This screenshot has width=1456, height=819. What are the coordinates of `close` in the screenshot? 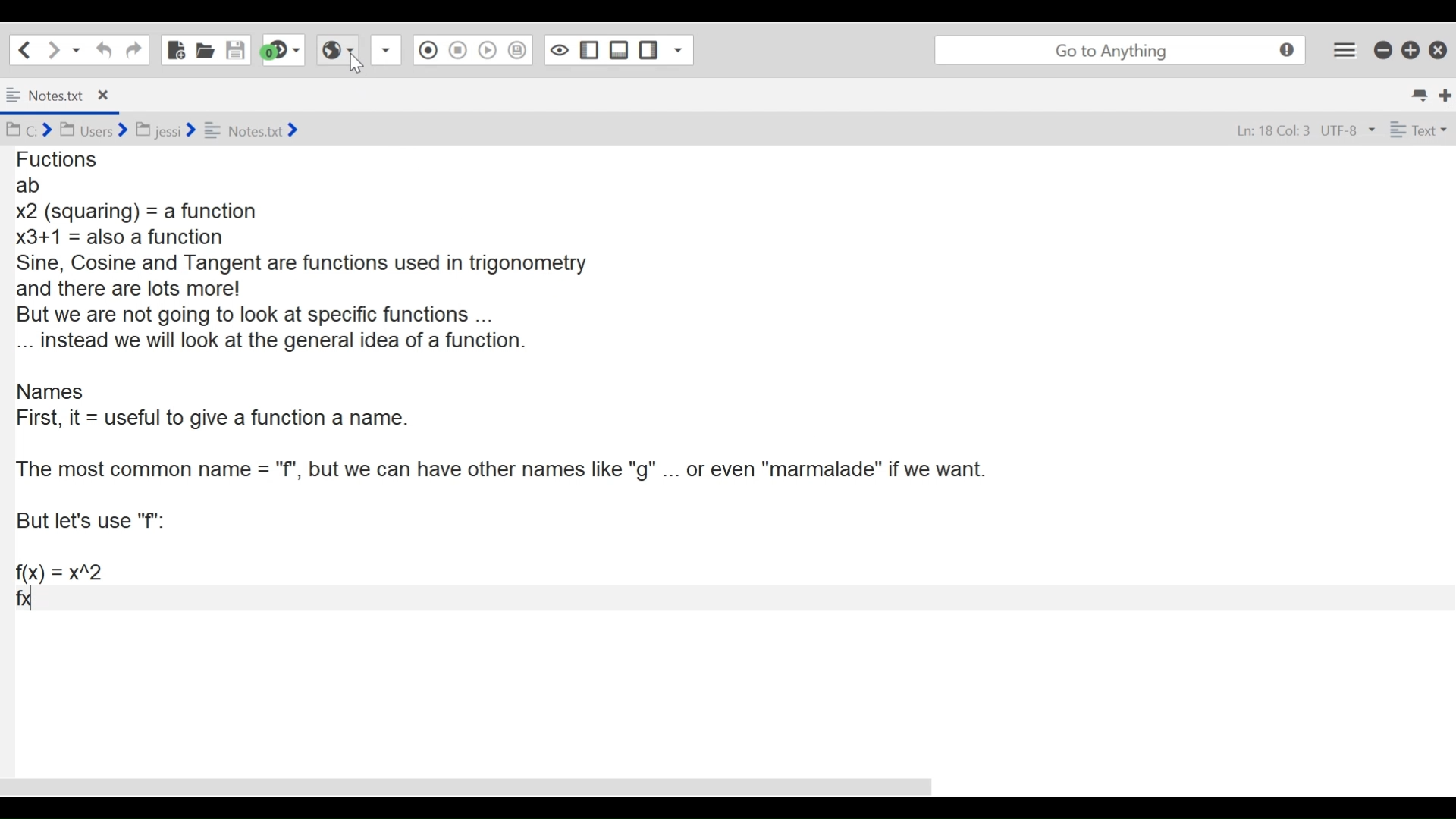 It's located at (1439, 48).